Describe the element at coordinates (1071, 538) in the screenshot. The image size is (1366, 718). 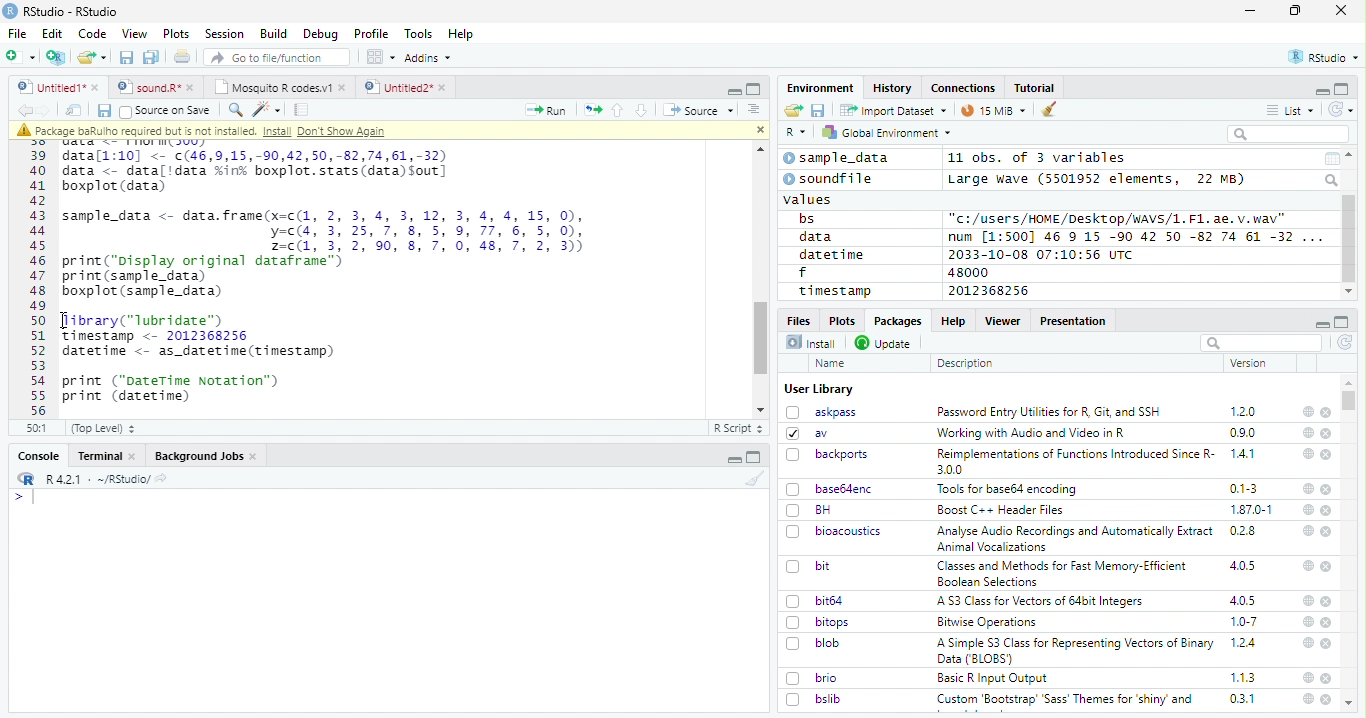
I see `Analyse Audio Recordings and Automatically ExtractAnimal Vocalizations` at that location.